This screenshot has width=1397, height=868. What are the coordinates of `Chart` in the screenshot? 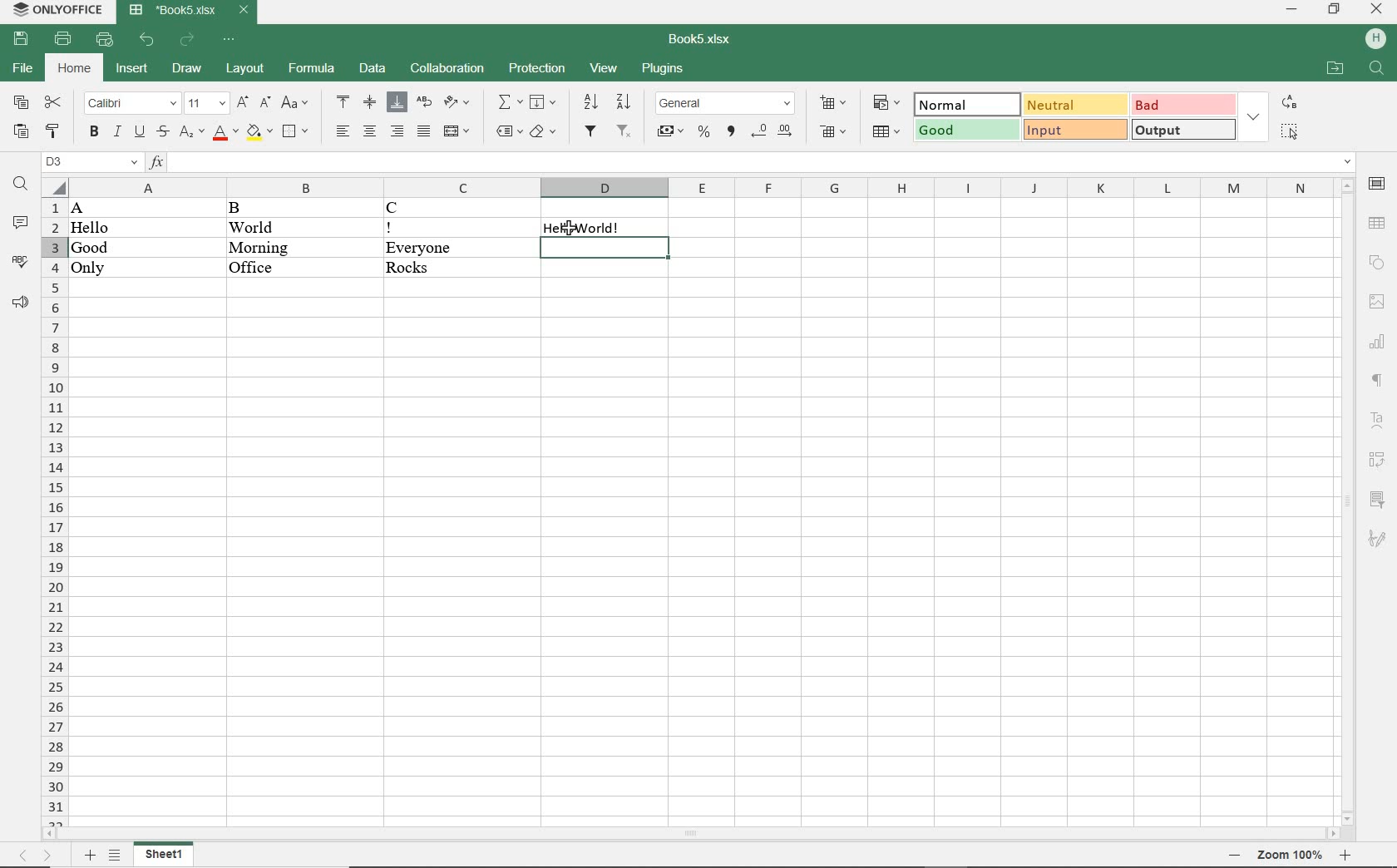 It's located at (1378, 342).